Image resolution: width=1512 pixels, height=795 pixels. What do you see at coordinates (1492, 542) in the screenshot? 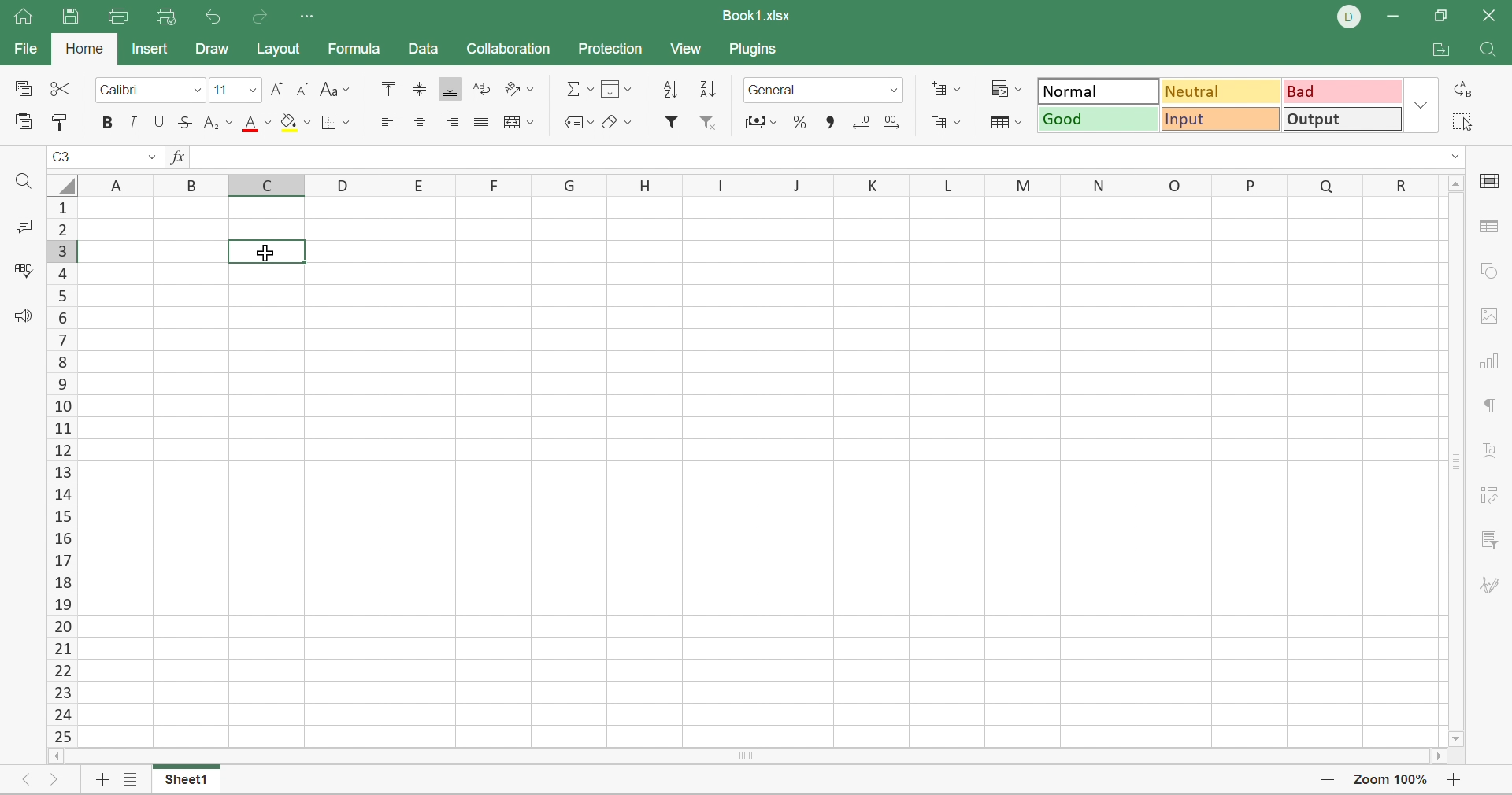
I see `slicer settings` at bounding box center [1492, 542].